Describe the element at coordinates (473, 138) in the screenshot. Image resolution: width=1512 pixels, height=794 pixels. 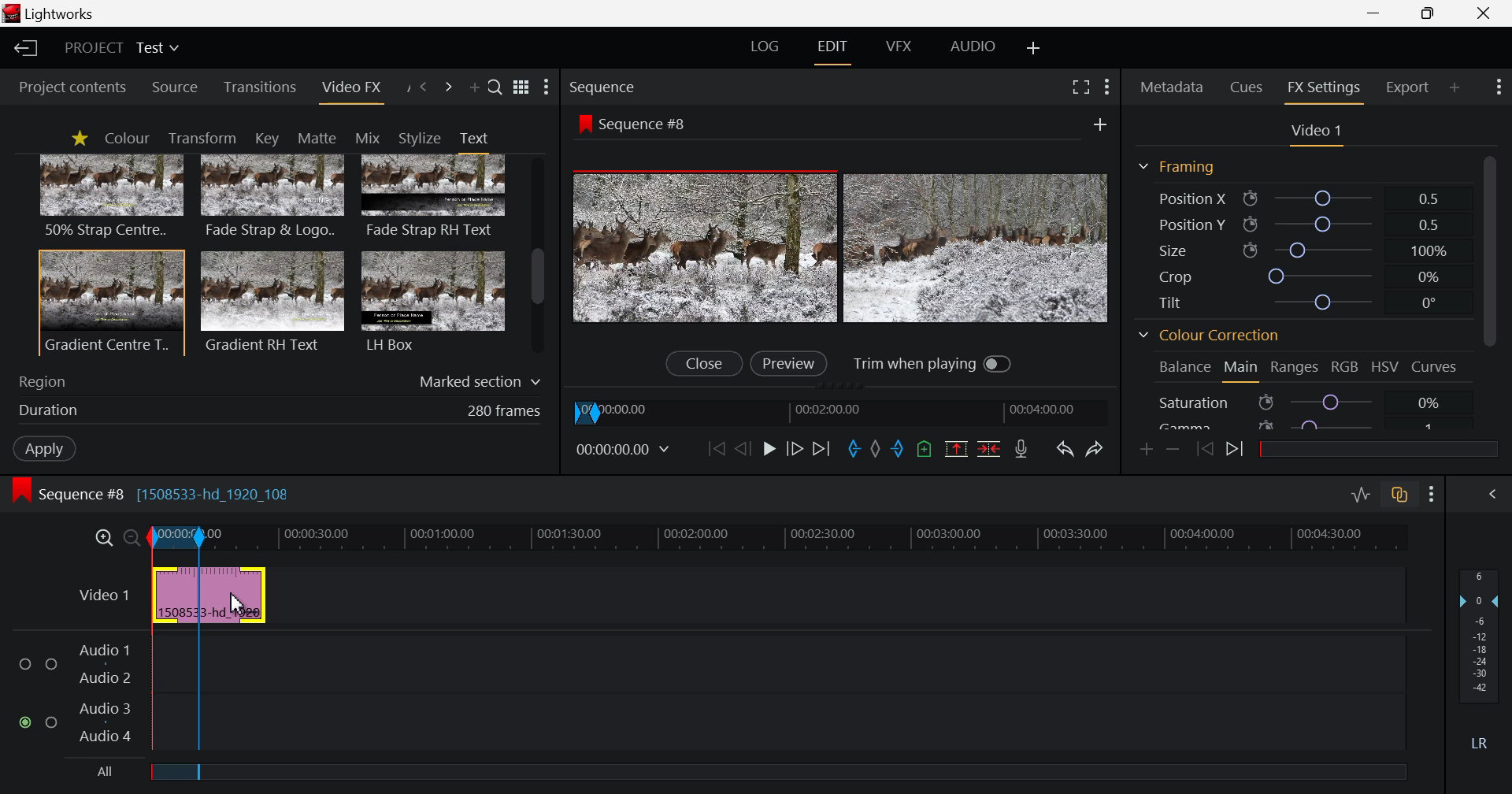
I see `Text` at that location.